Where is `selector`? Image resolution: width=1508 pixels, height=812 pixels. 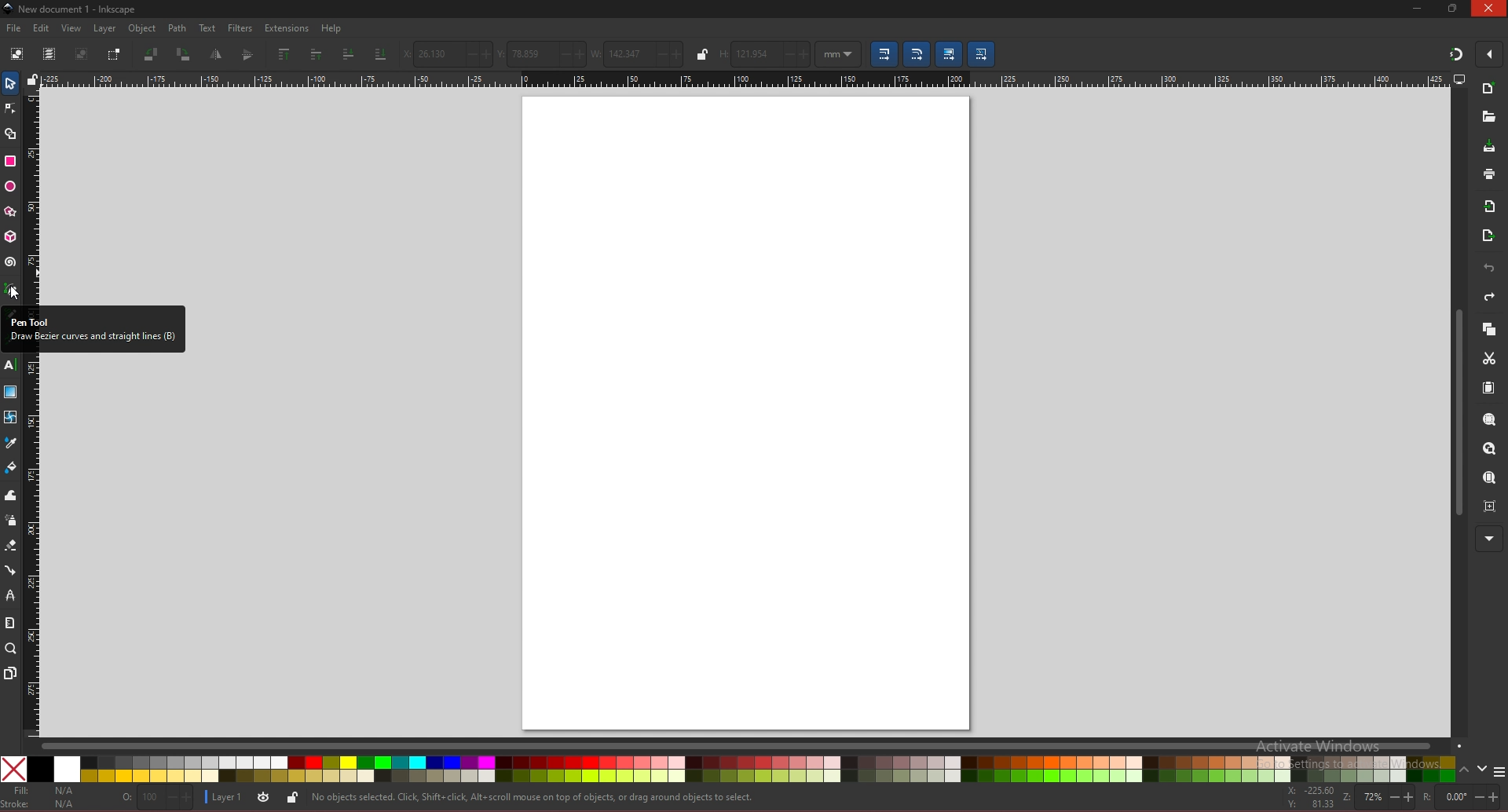
selector is located at coordinates (10, 83).